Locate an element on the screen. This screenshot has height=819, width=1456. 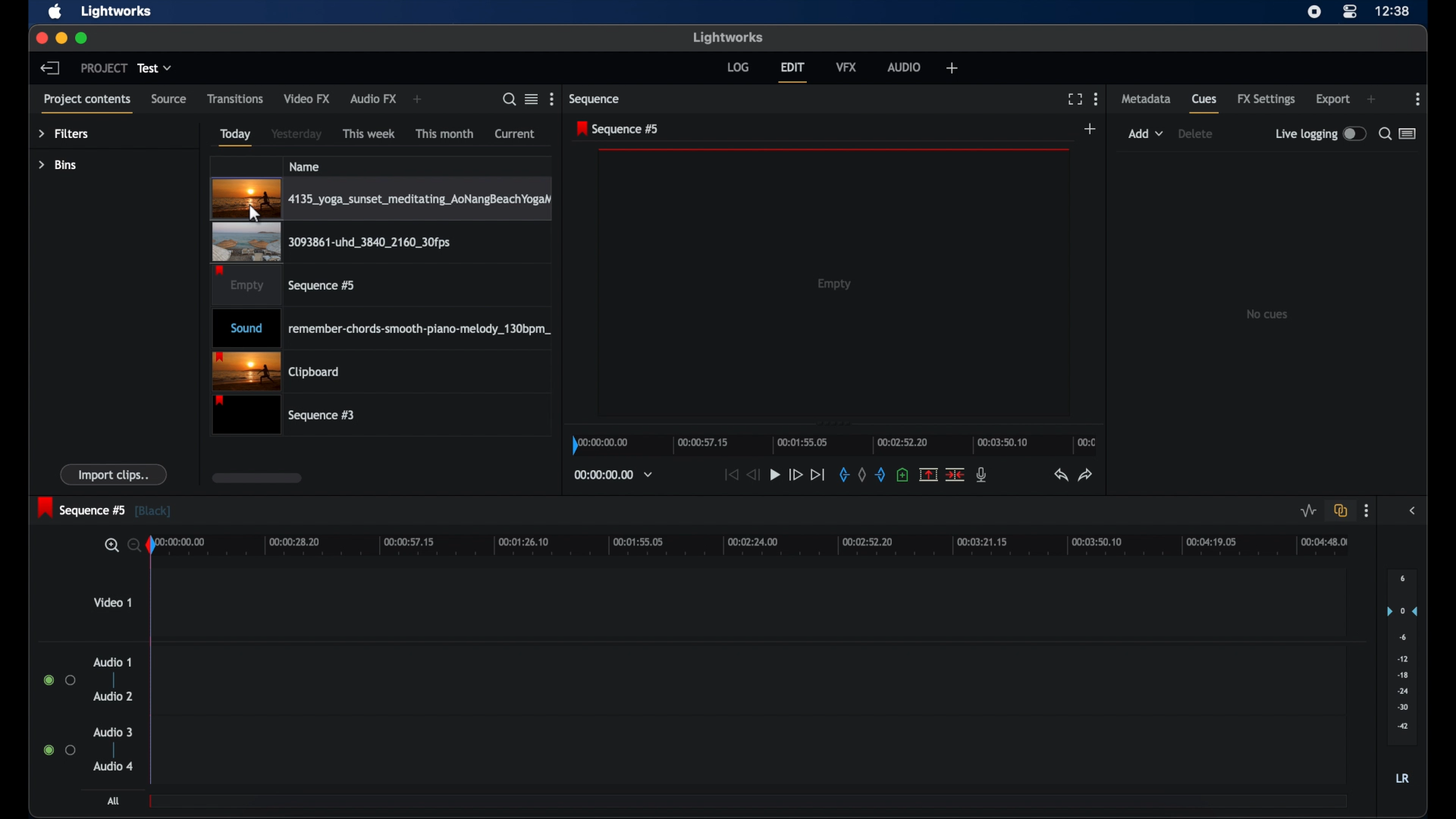
video clip is located at coordinates (331, 243).